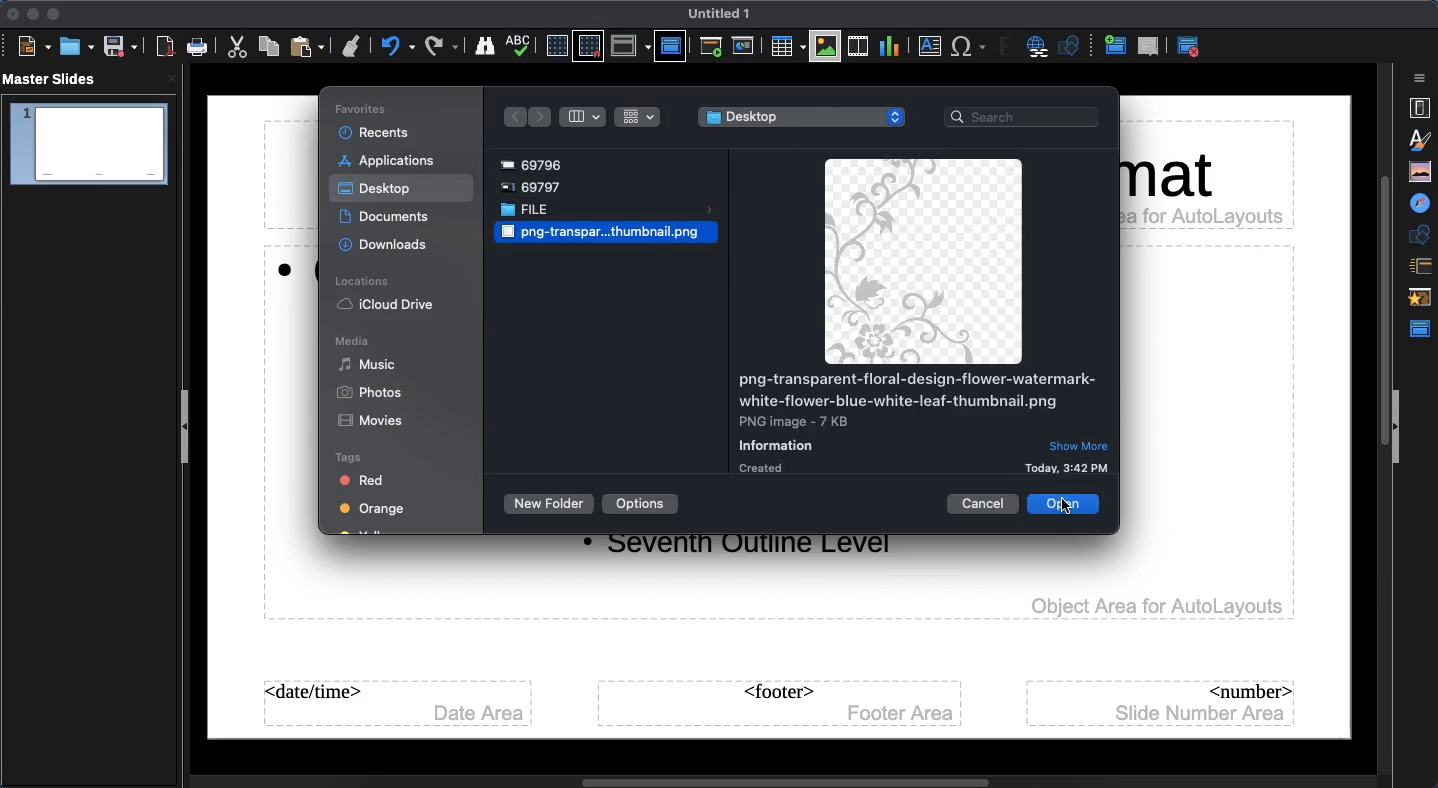  What do you see at coordinates (670, 45) in the screenshot?
I see `Master slide` at bounding box center [670, 45].